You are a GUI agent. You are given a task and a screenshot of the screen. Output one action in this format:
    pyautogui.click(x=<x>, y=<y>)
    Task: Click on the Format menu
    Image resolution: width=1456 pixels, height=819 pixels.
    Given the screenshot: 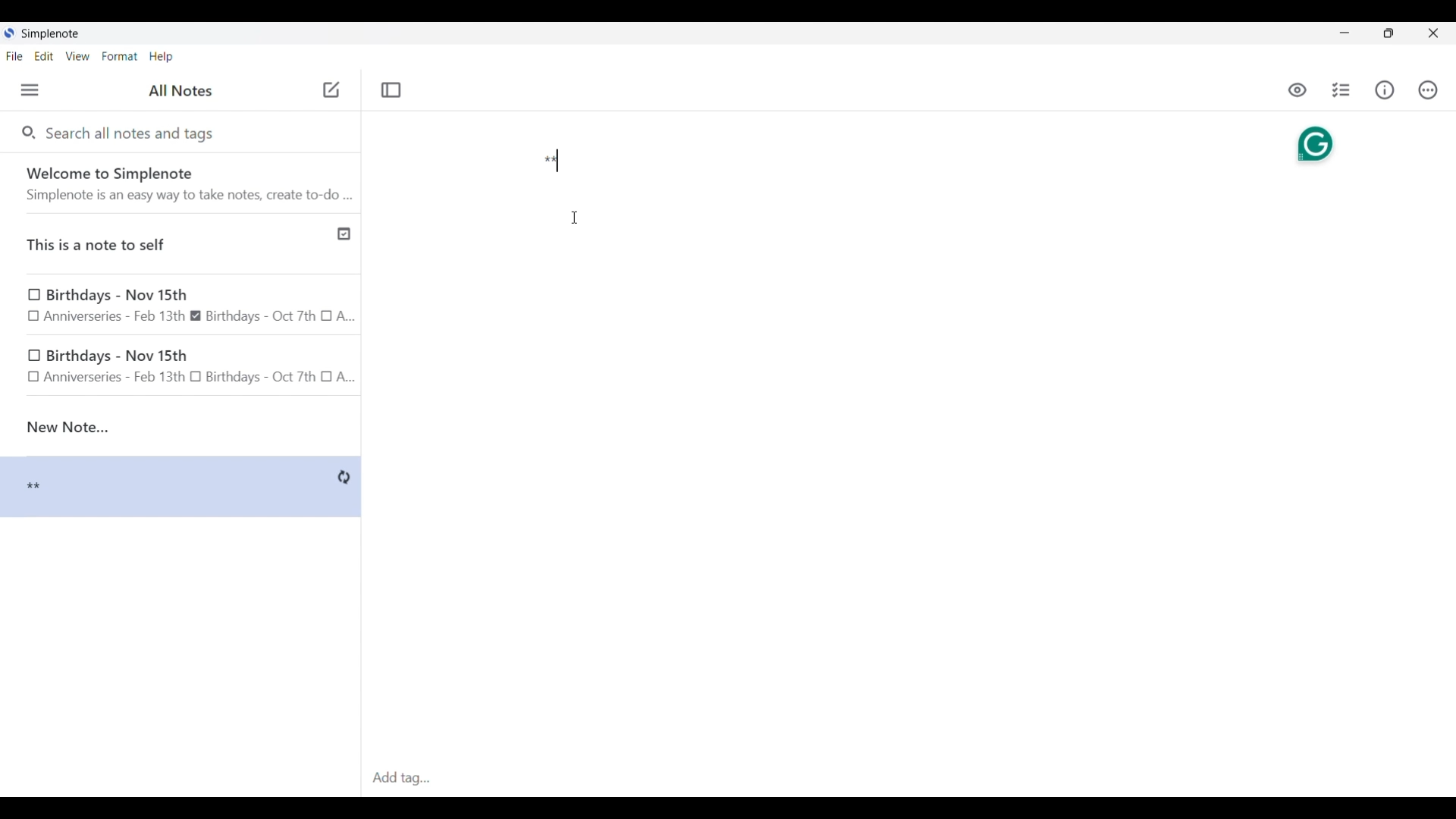 What is the action you would take?
    pyautogui.click(x=120, y=56)
    